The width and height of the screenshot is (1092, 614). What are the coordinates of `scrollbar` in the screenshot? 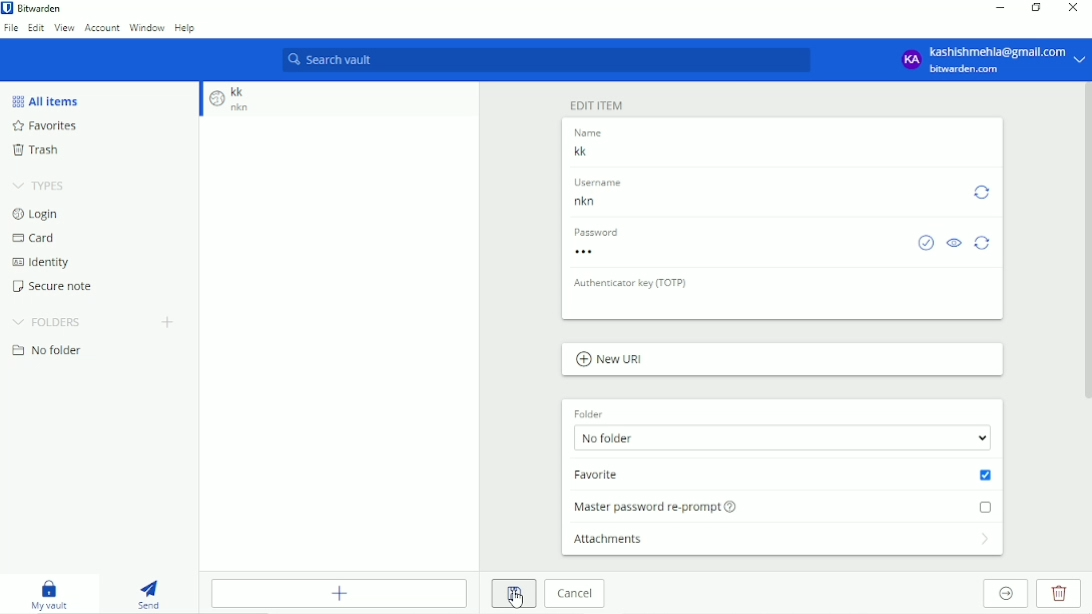 It's located at (1086, 244).